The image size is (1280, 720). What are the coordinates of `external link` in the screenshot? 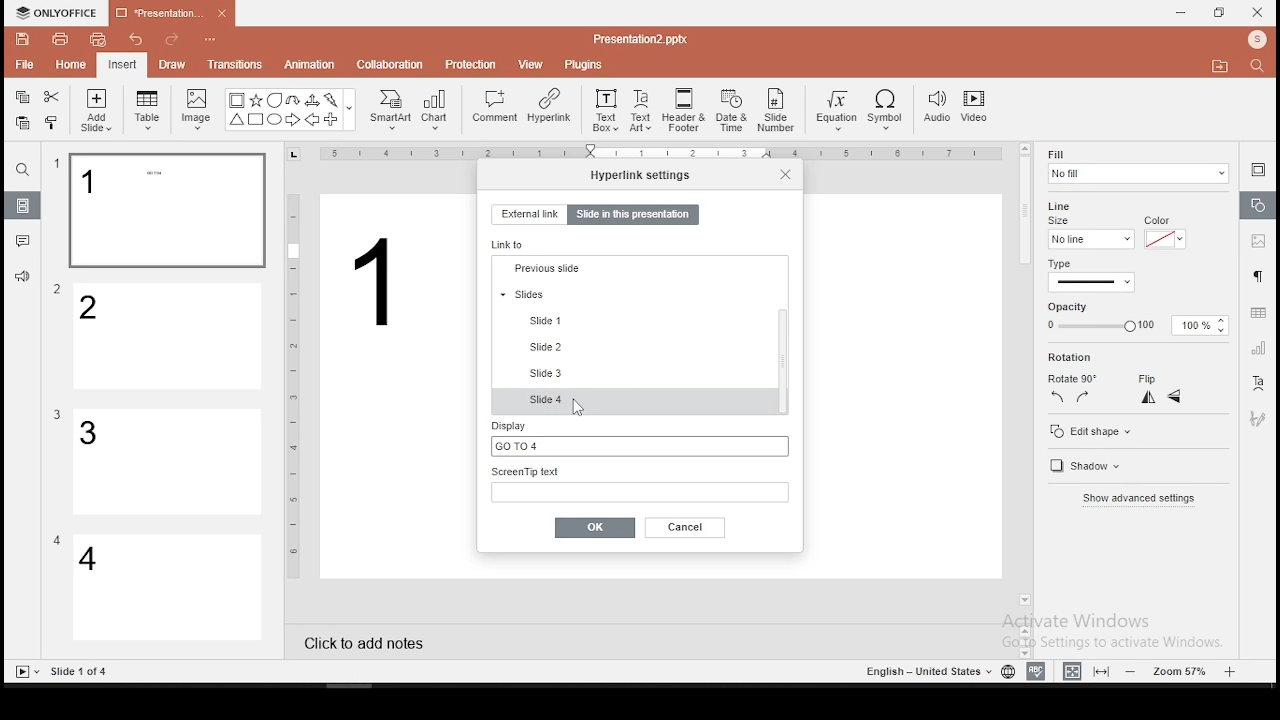 It's located at (528, 214).